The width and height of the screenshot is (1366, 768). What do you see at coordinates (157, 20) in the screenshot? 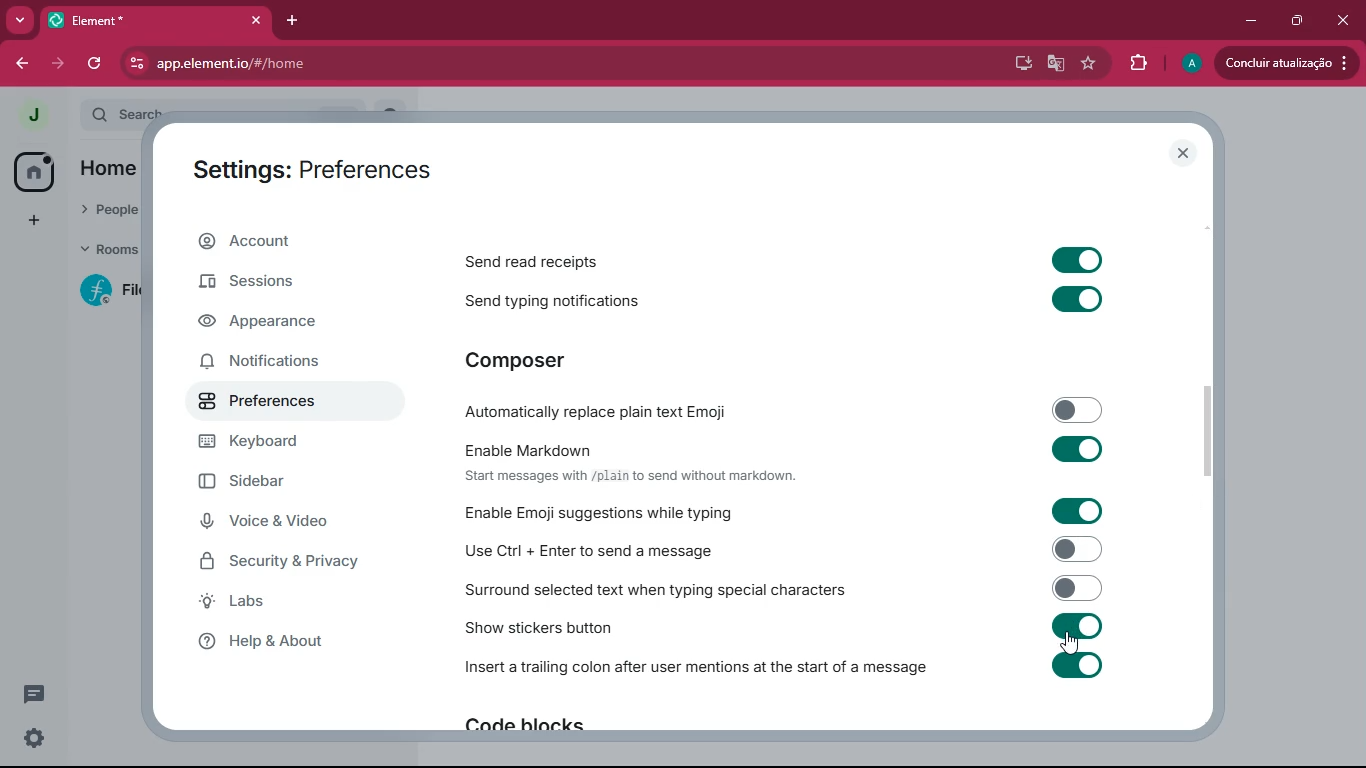
I see `element` at bounding box center [157, 20].